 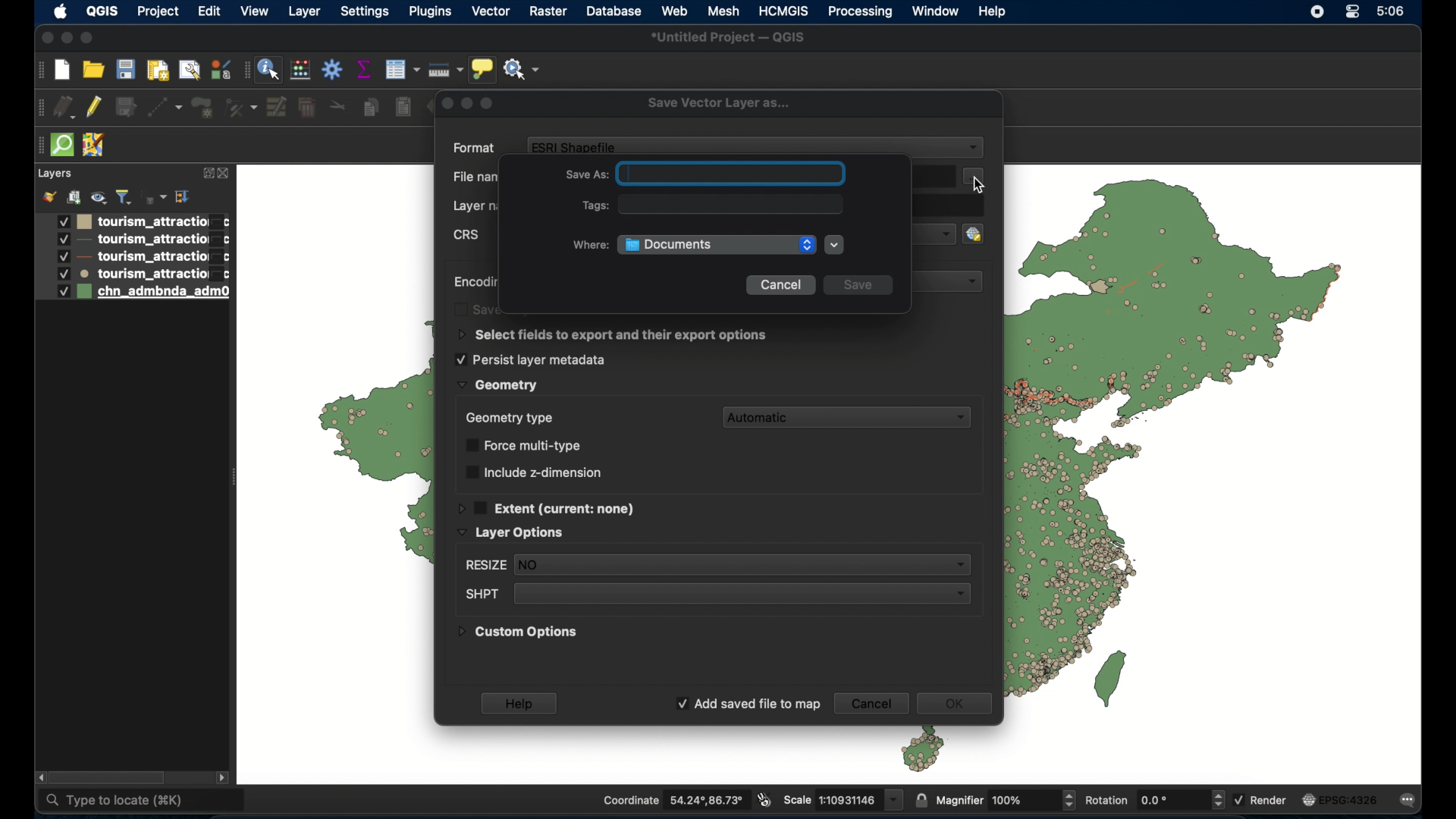 What do you see at coordinates (548, 11) in the screenshot?
I see `raster` at bounding box center [548, 11].